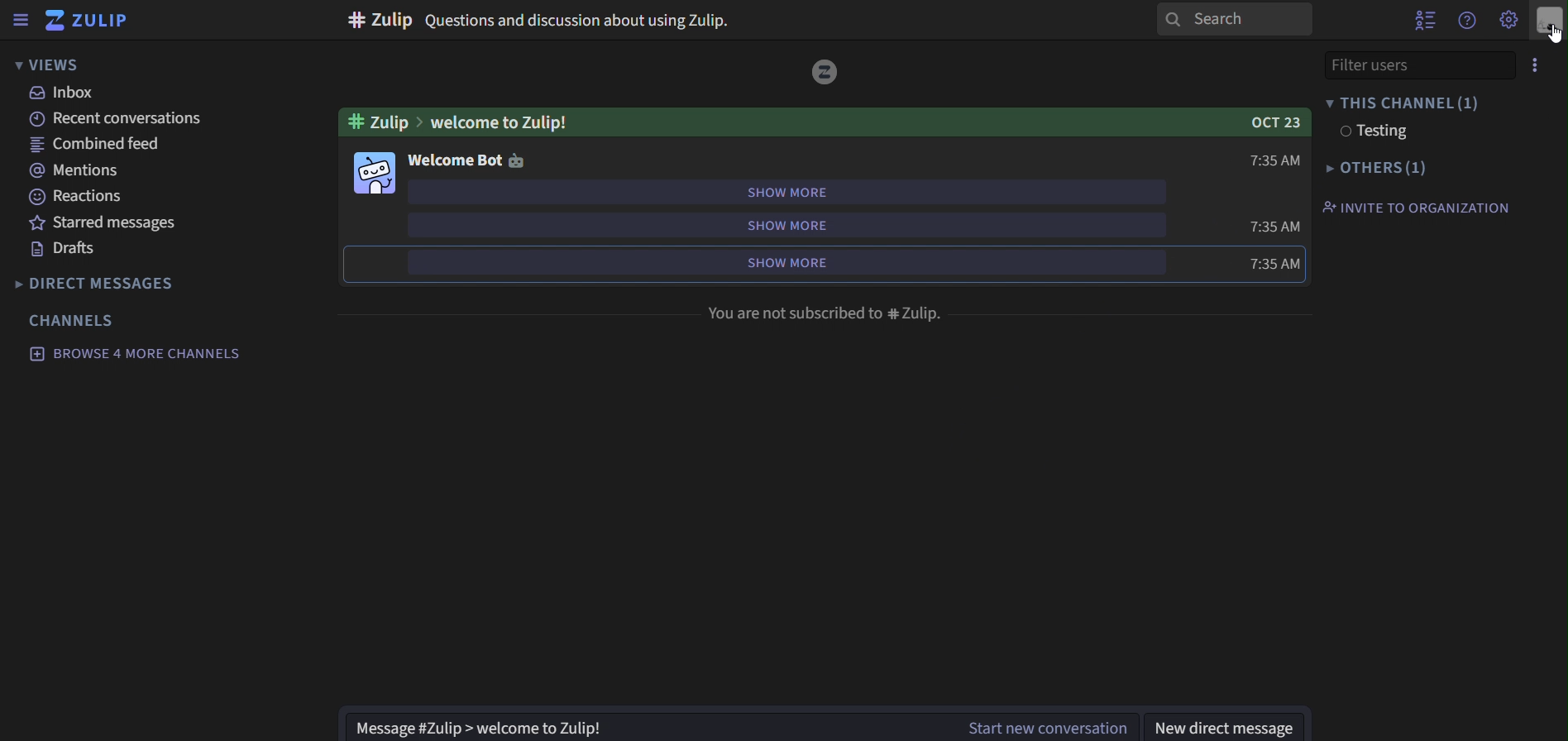  I want to click on testing, so click(1370, 132).